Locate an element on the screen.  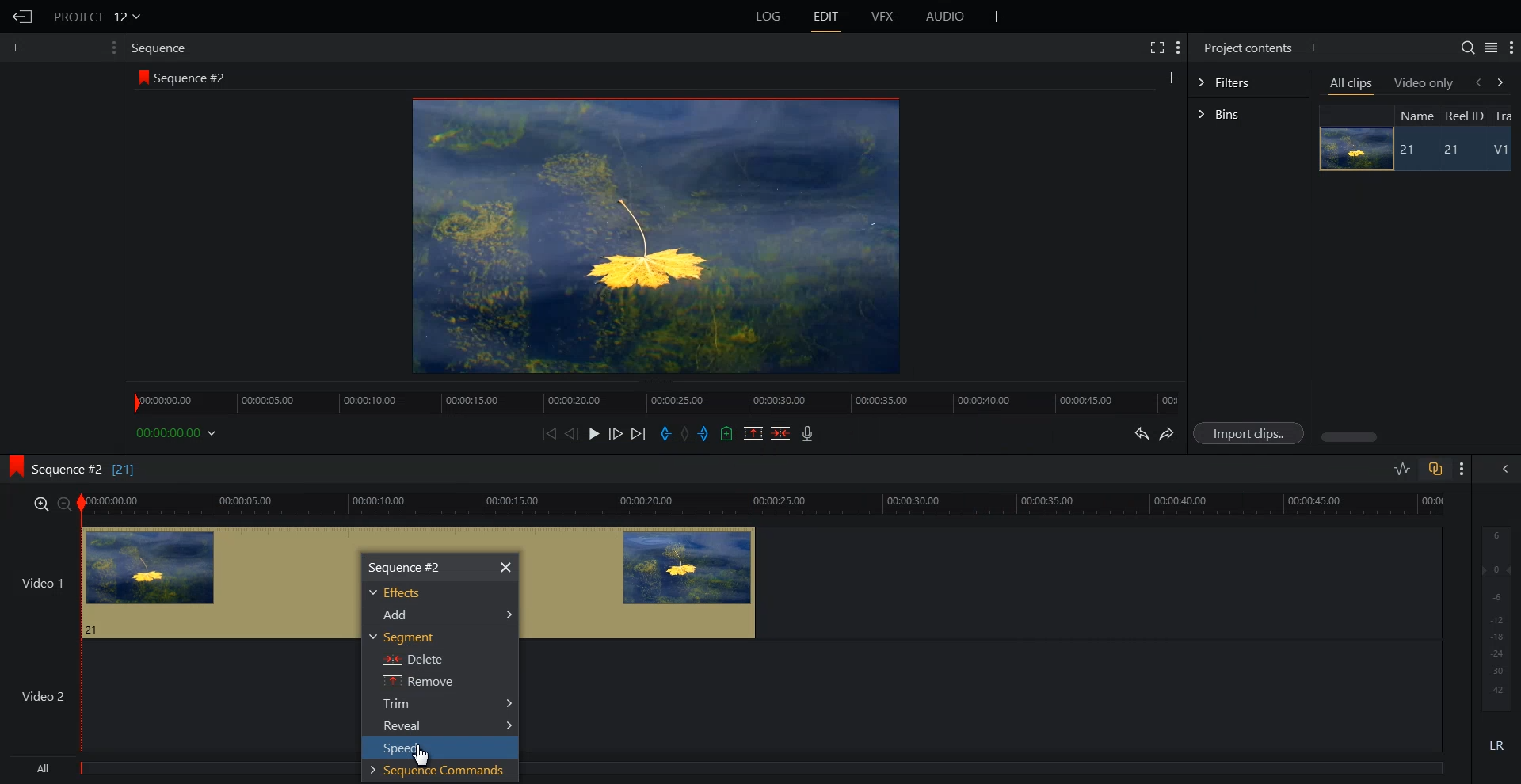
Move forward is located at coordinates (639, 434).